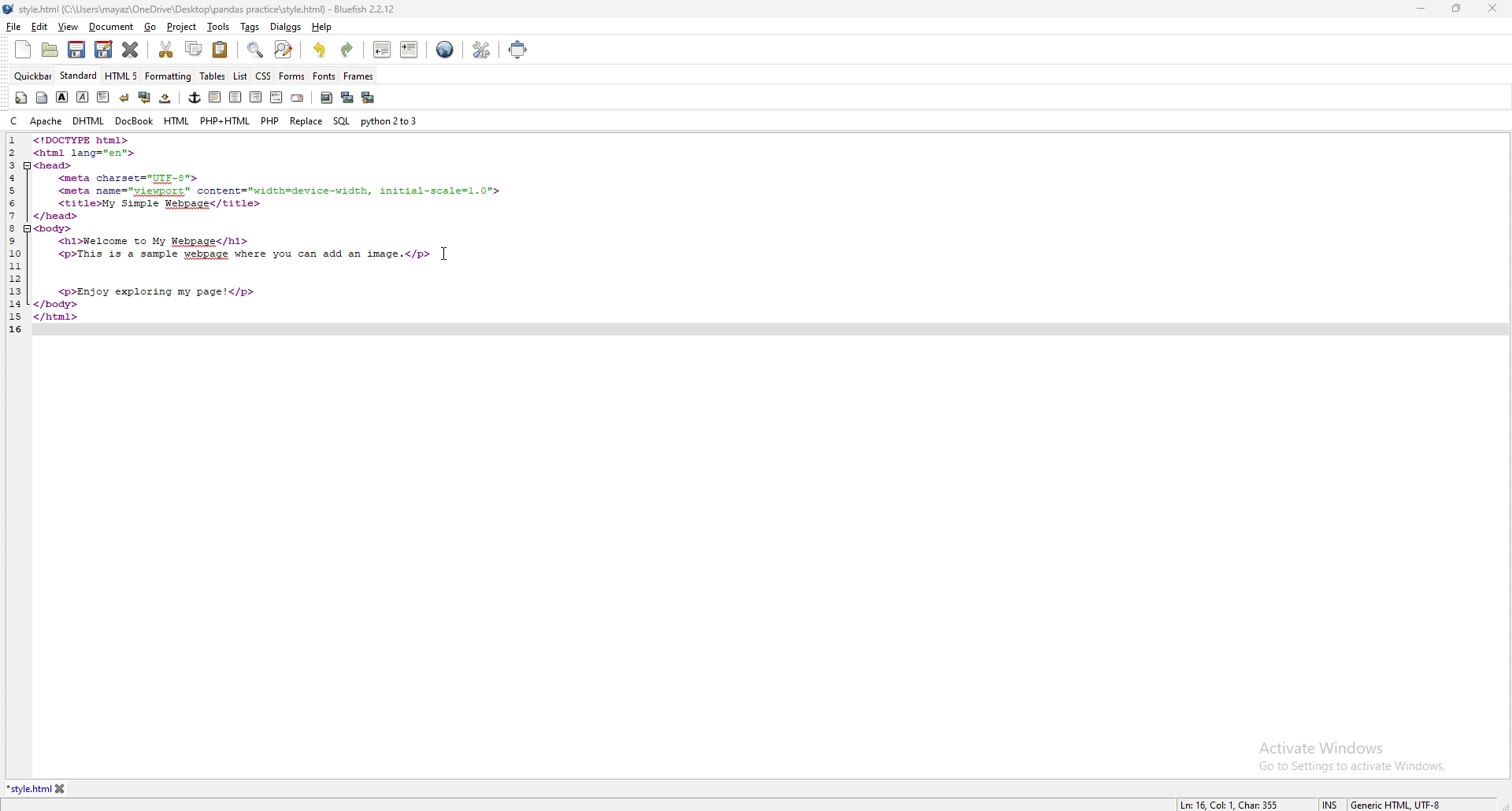 This screenshot has width=1512, height=811. Describe the element at coordinates (299, 98) in the screenshot. I see `email` at that location.